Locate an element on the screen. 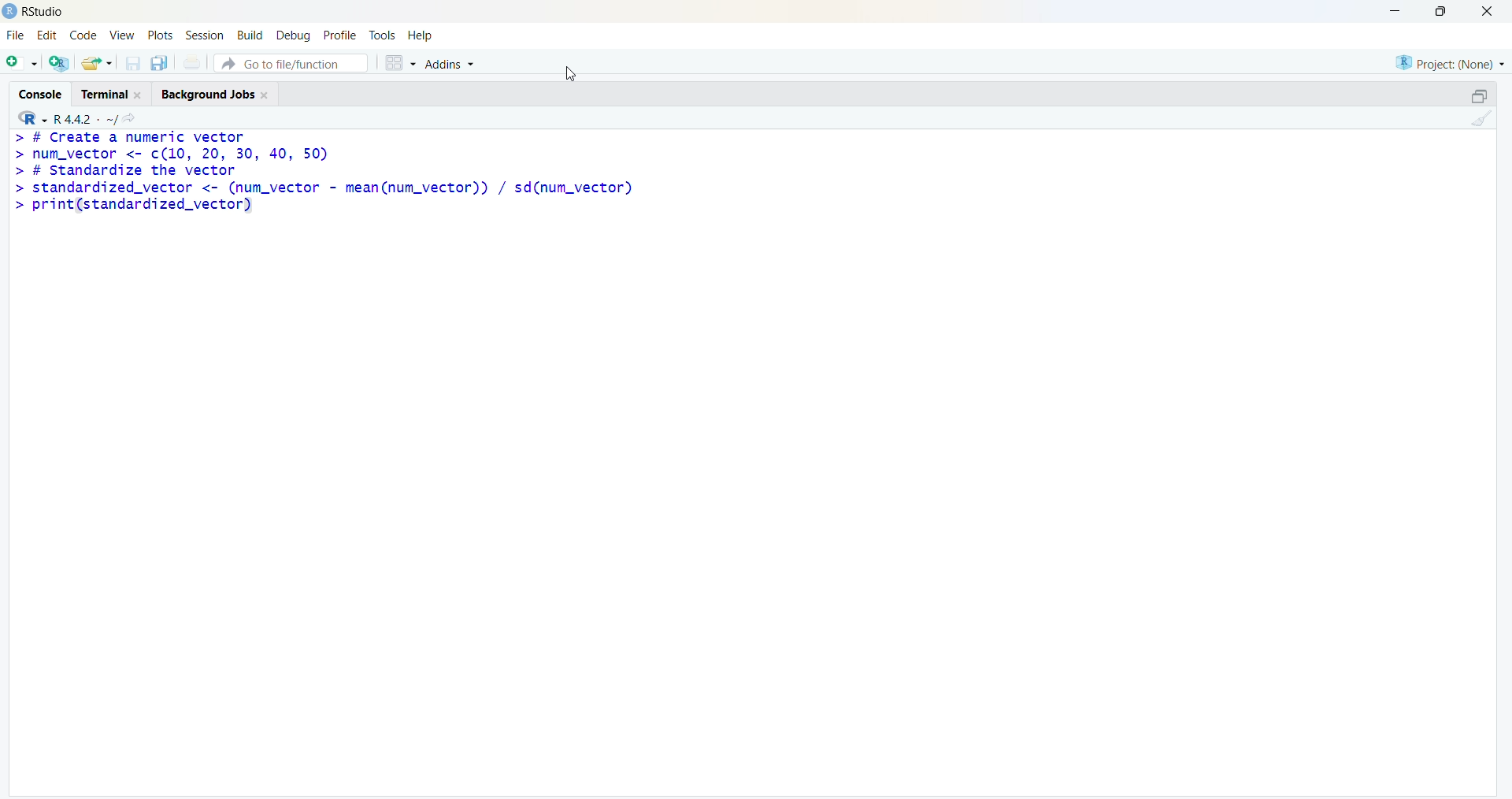 This screenshot has height=799, width=1512. close is located at coordinates (265, 95).